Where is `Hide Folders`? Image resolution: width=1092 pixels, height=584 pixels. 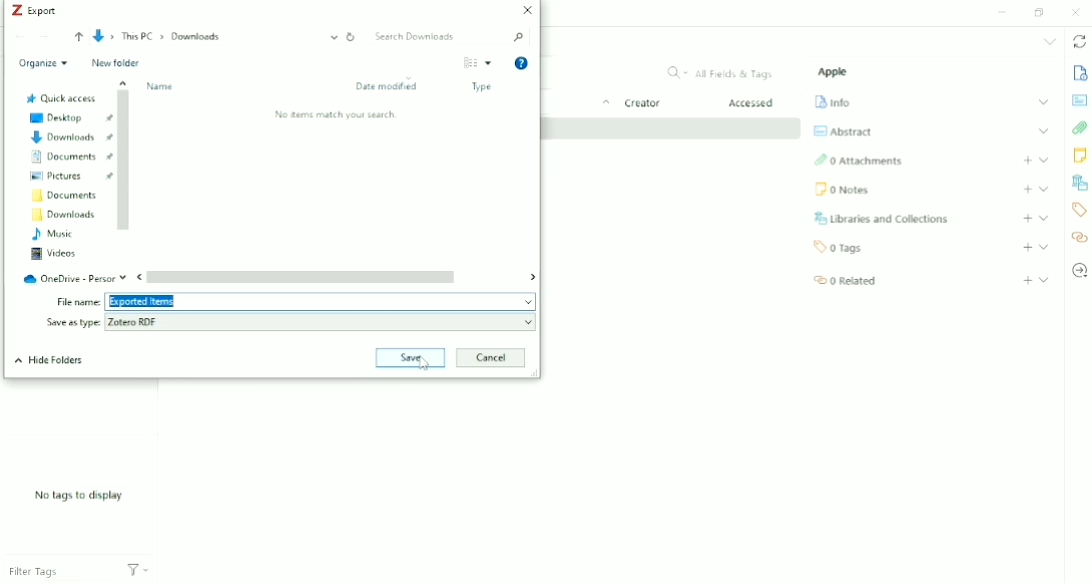
Hide Folders is located at coordinates (49, 361).